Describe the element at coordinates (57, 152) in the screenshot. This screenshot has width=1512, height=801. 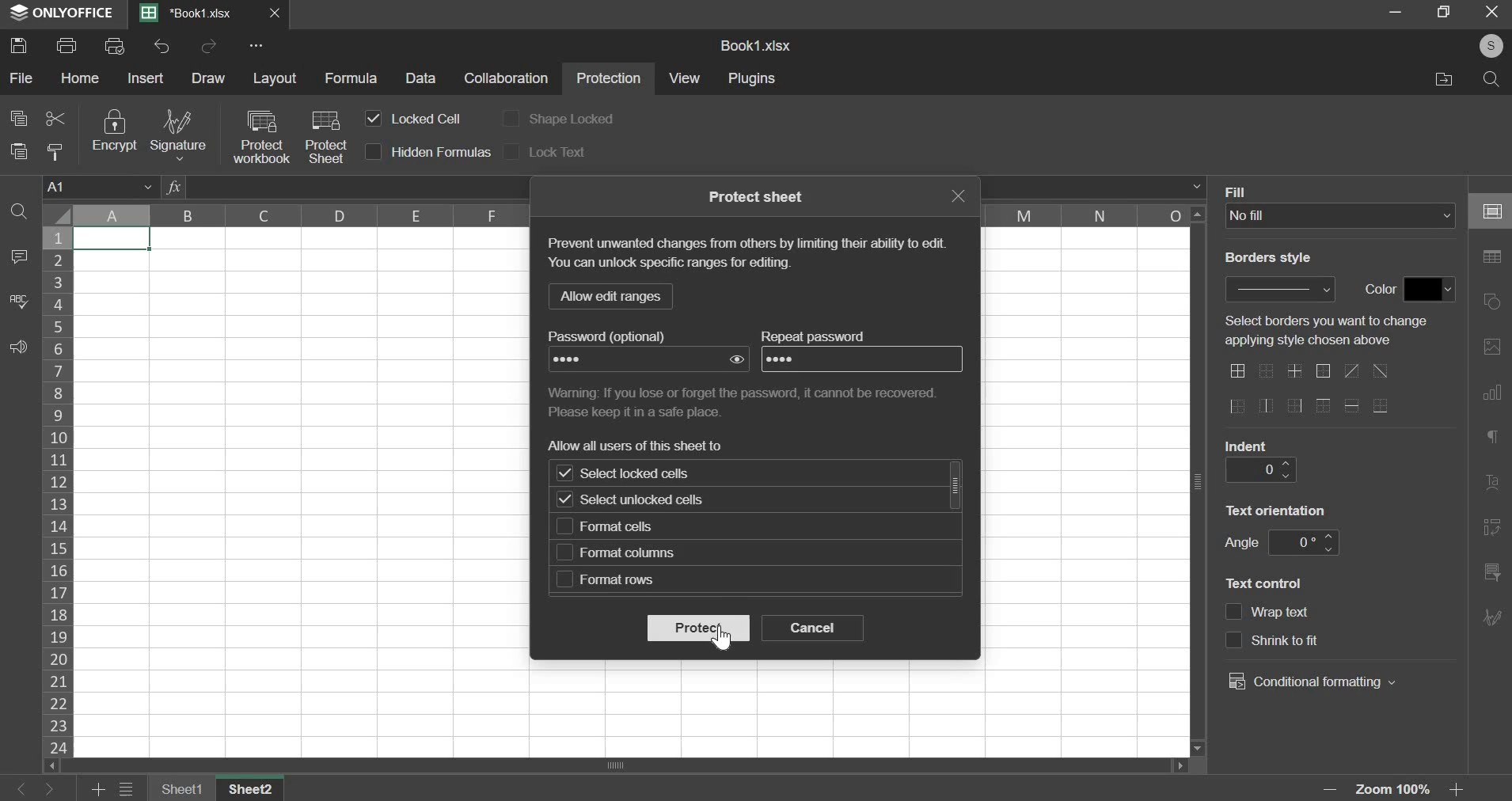
I see `copy style` at that location.